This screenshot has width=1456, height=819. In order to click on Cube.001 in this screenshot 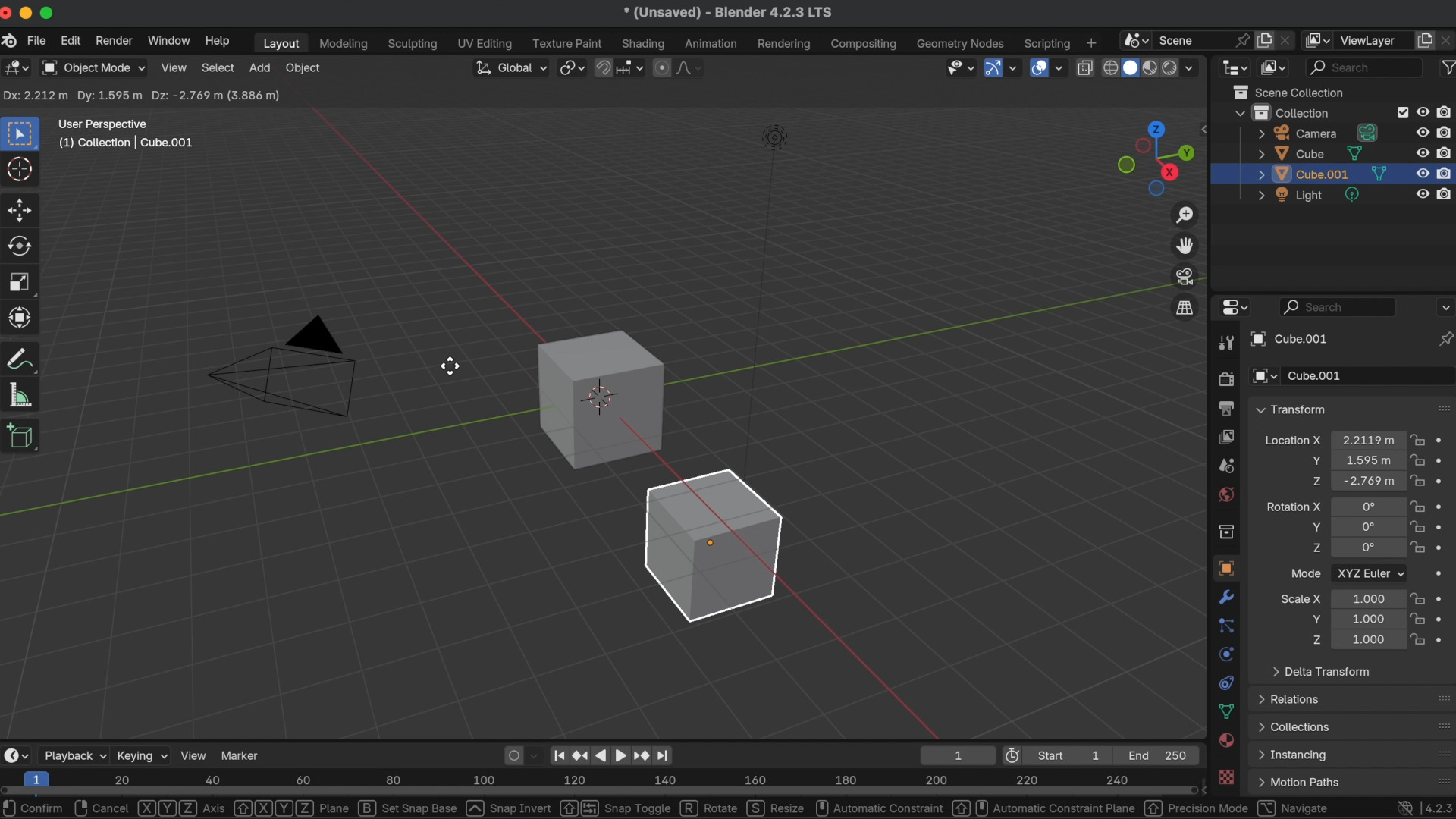, I will do `click(1370, 376)`.